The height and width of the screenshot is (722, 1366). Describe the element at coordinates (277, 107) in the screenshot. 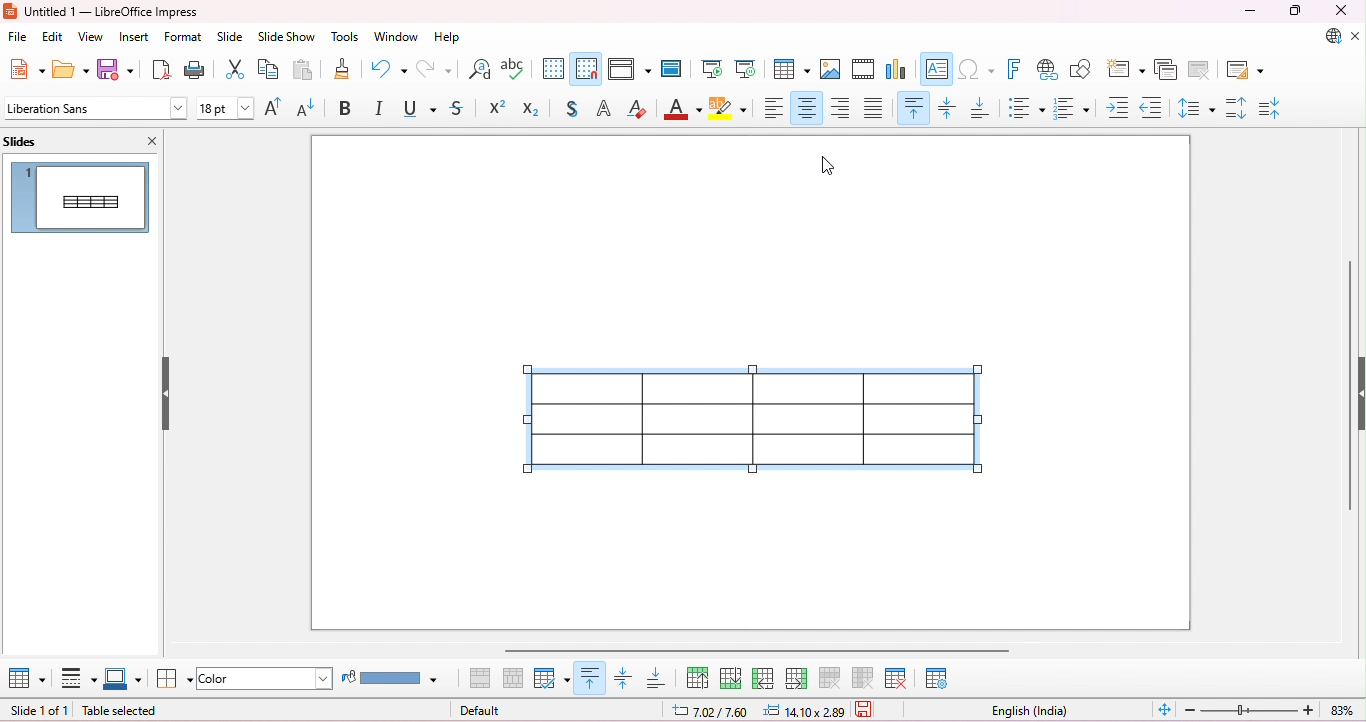

I see `increment size` at that location.